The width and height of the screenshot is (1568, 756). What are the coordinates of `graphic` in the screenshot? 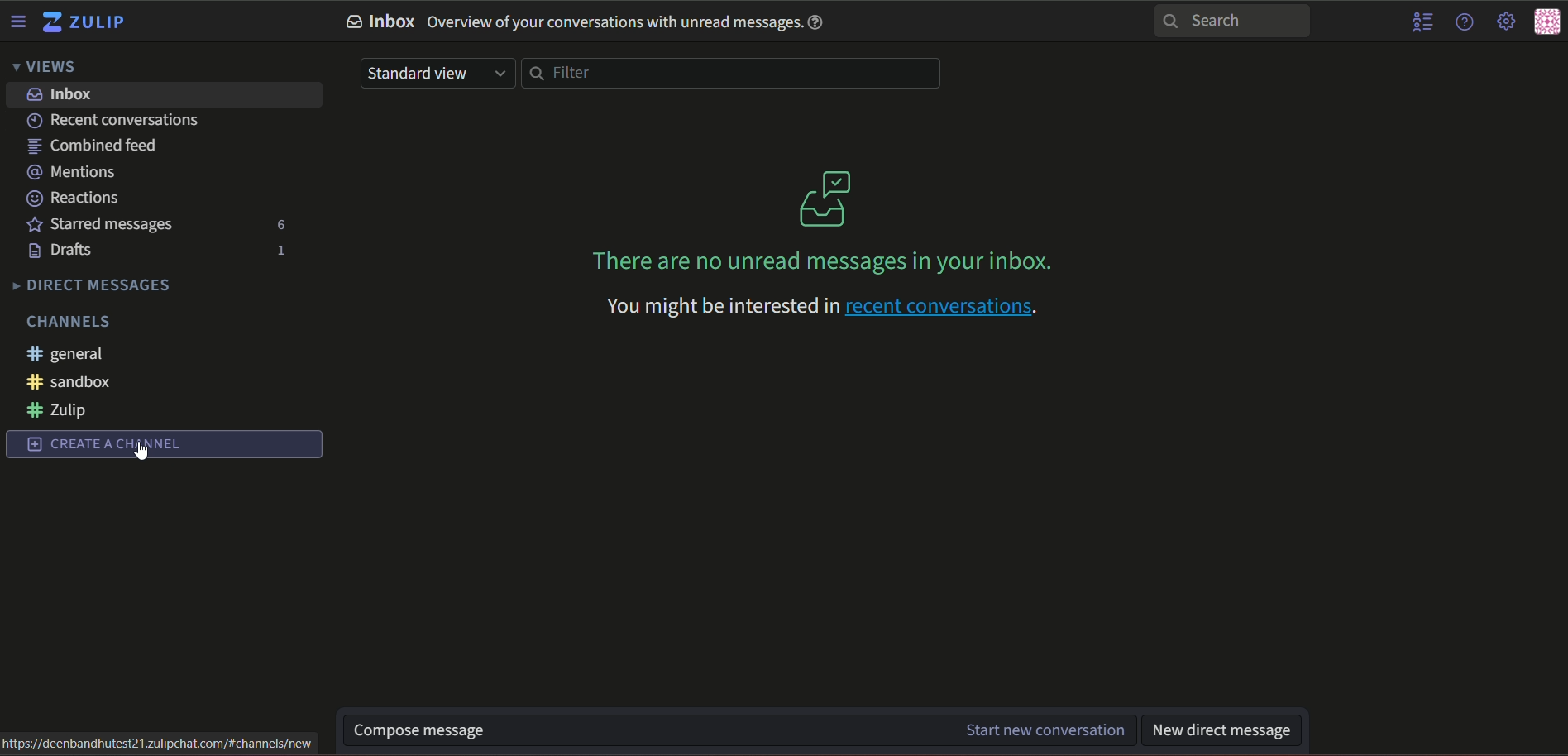 It's located at (825, 198).